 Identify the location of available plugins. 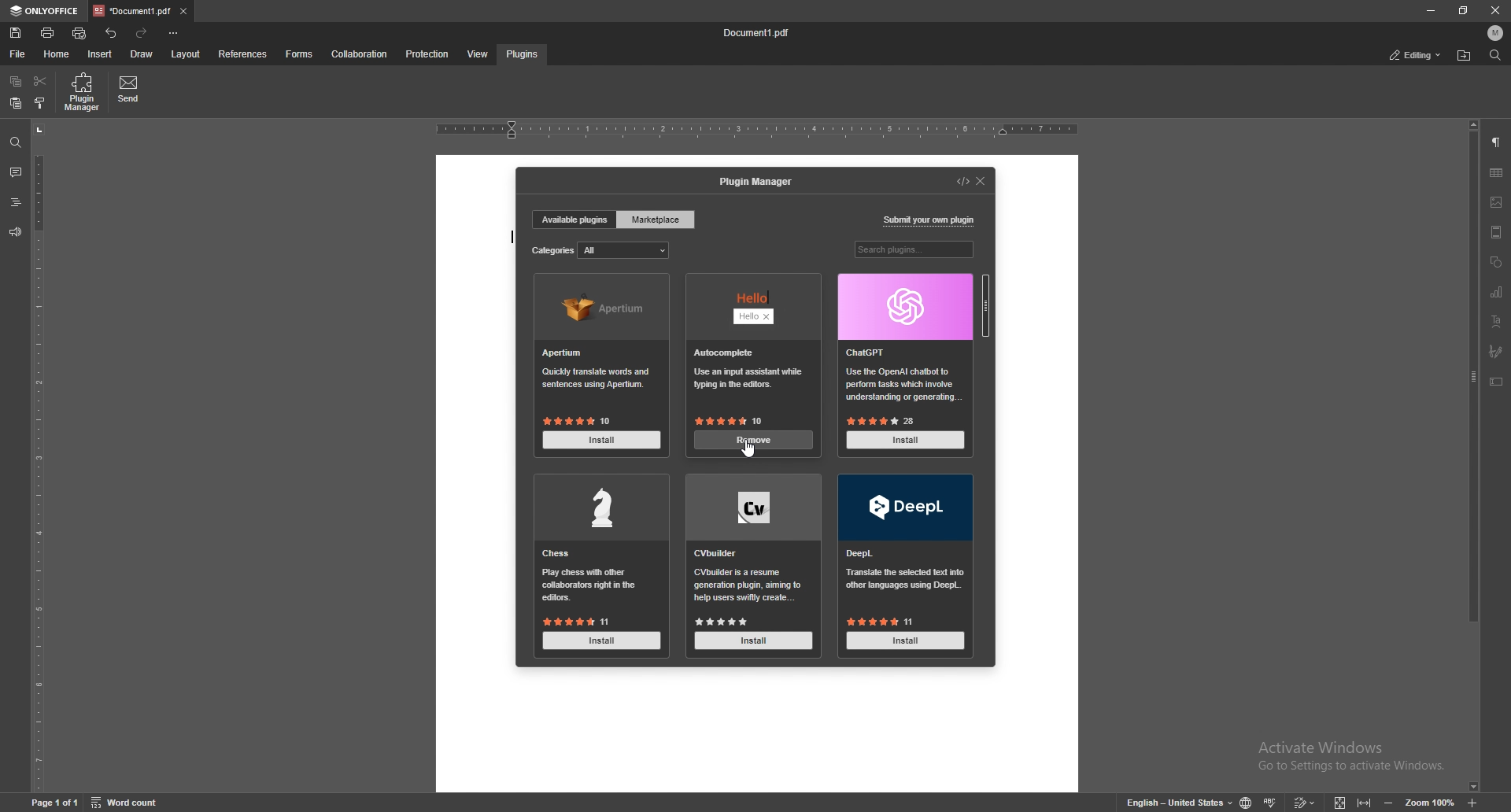
(575, 220).